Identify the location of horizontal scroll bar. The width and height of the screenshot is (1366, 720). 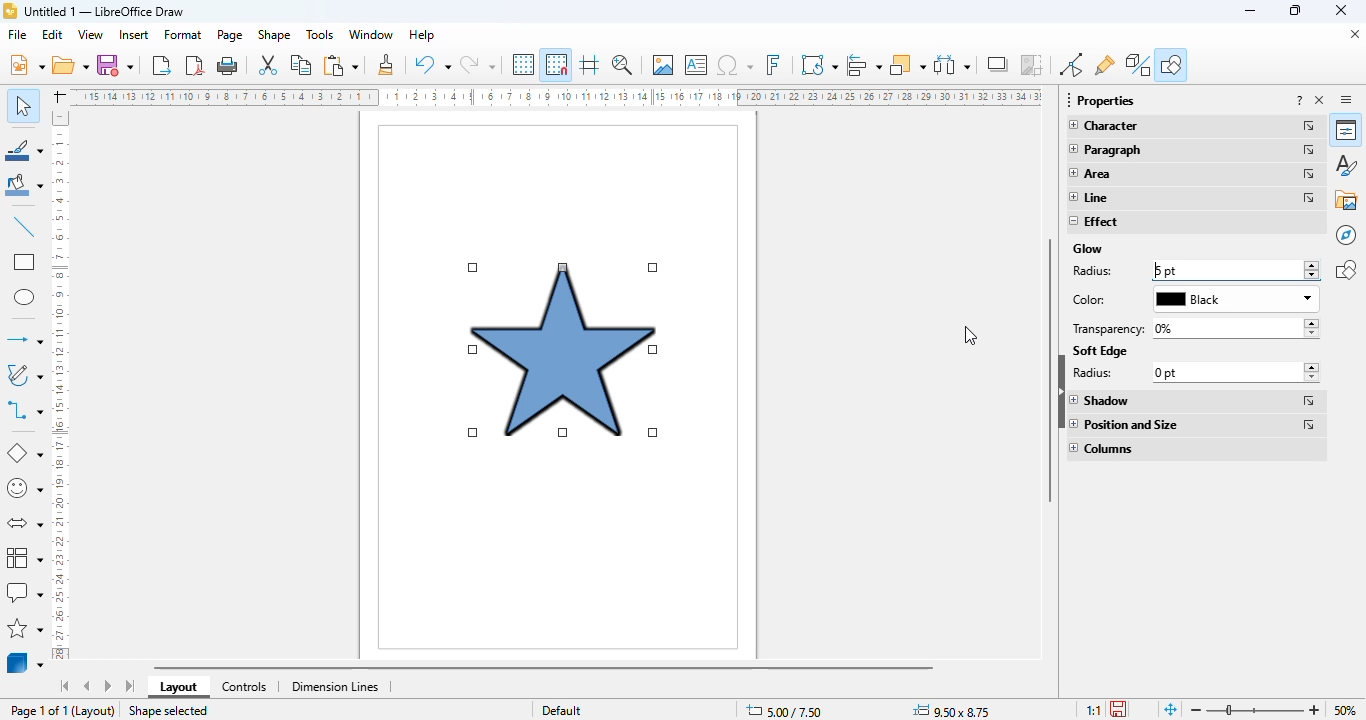
(697, 668).